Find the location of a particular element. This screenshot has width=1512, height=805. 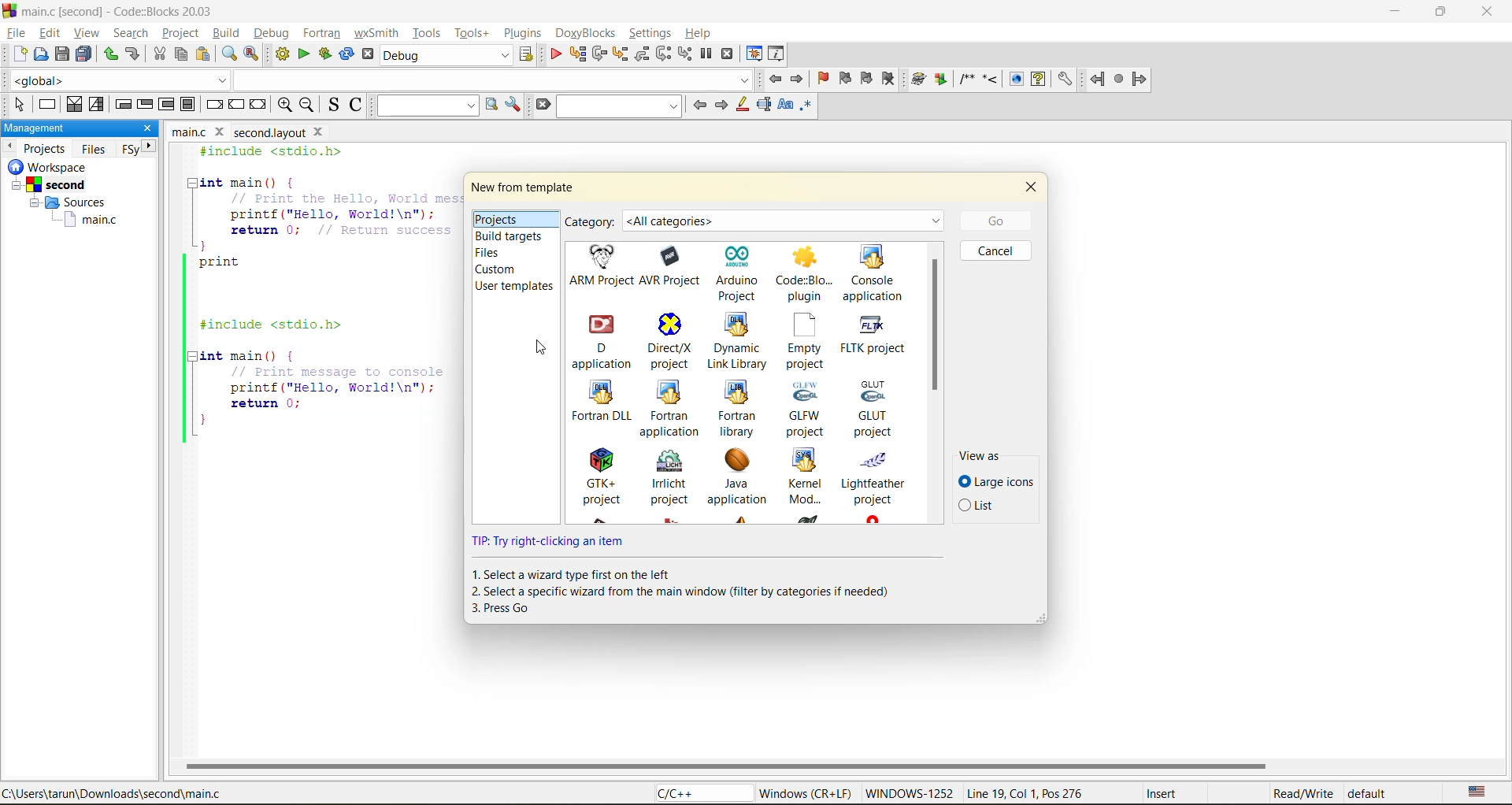

break instruction is located at coordinates (215, 106).